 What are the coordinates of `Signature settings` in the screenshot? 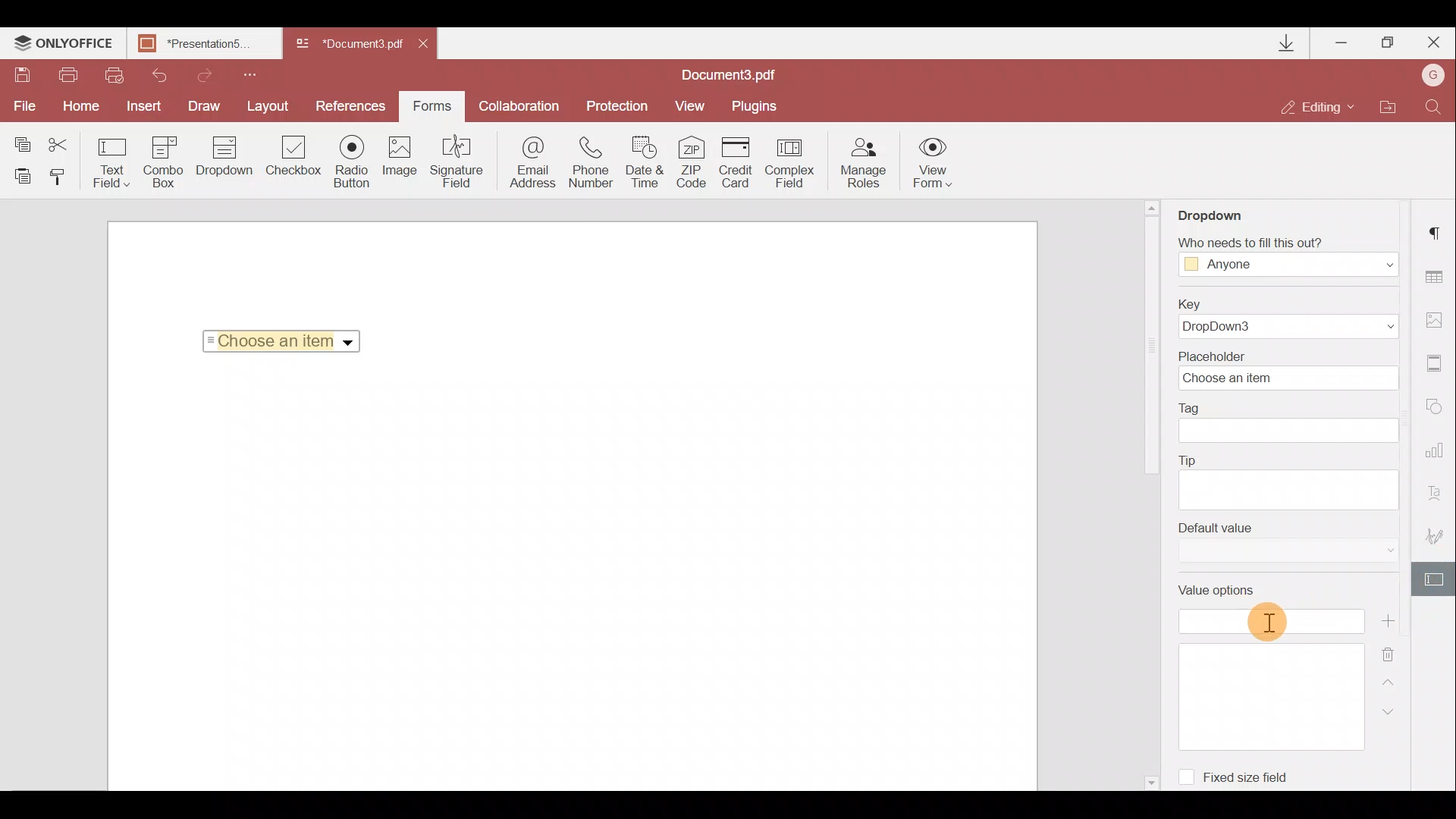 It's located at (1433, 531).